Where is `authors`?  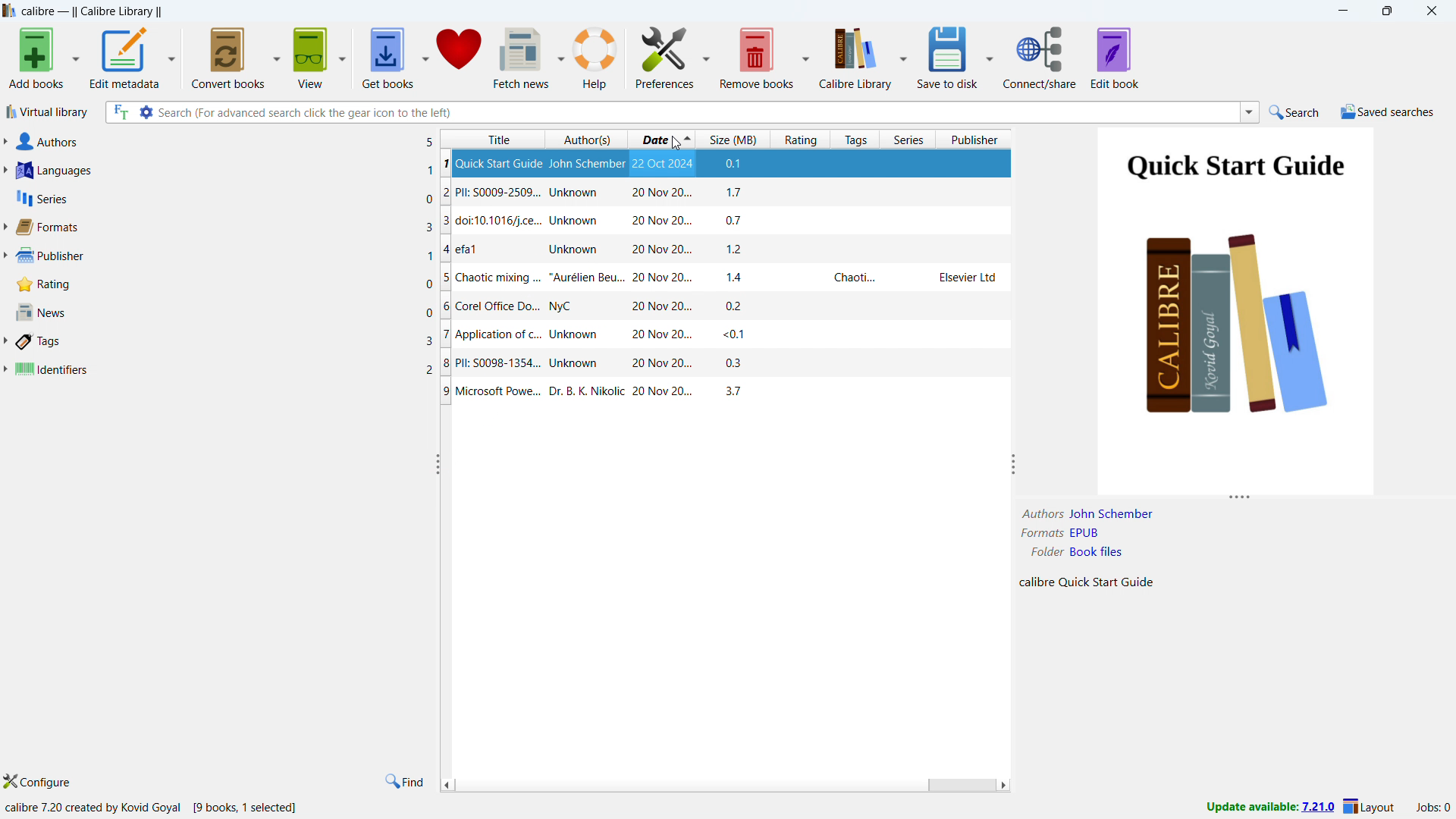
authors is located at coordinates (227, 141).